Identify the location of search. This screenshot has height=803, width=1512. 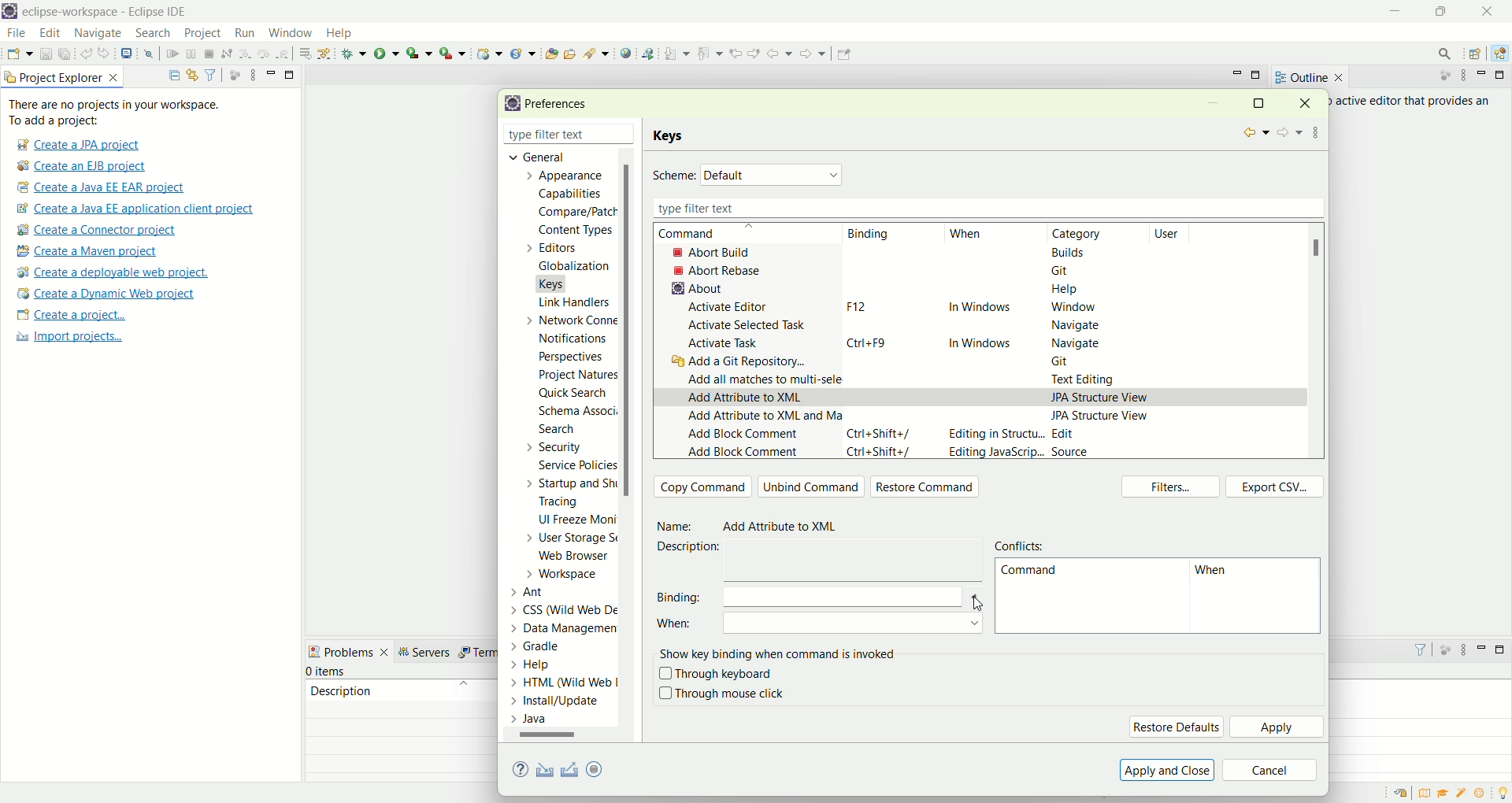
(1440, 54).